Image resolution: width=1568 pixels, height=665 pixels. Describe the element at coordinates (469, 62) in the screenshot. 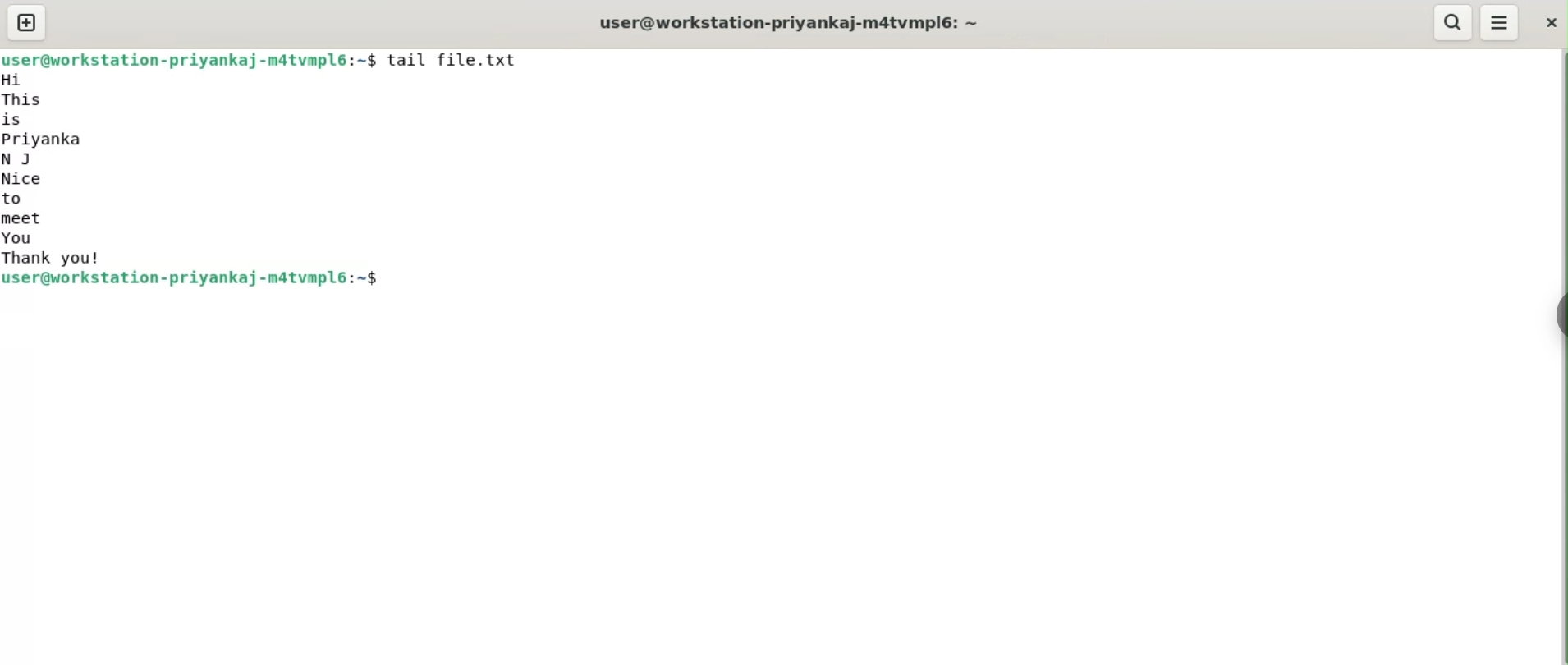

I see `command tail file.txt` at that location.